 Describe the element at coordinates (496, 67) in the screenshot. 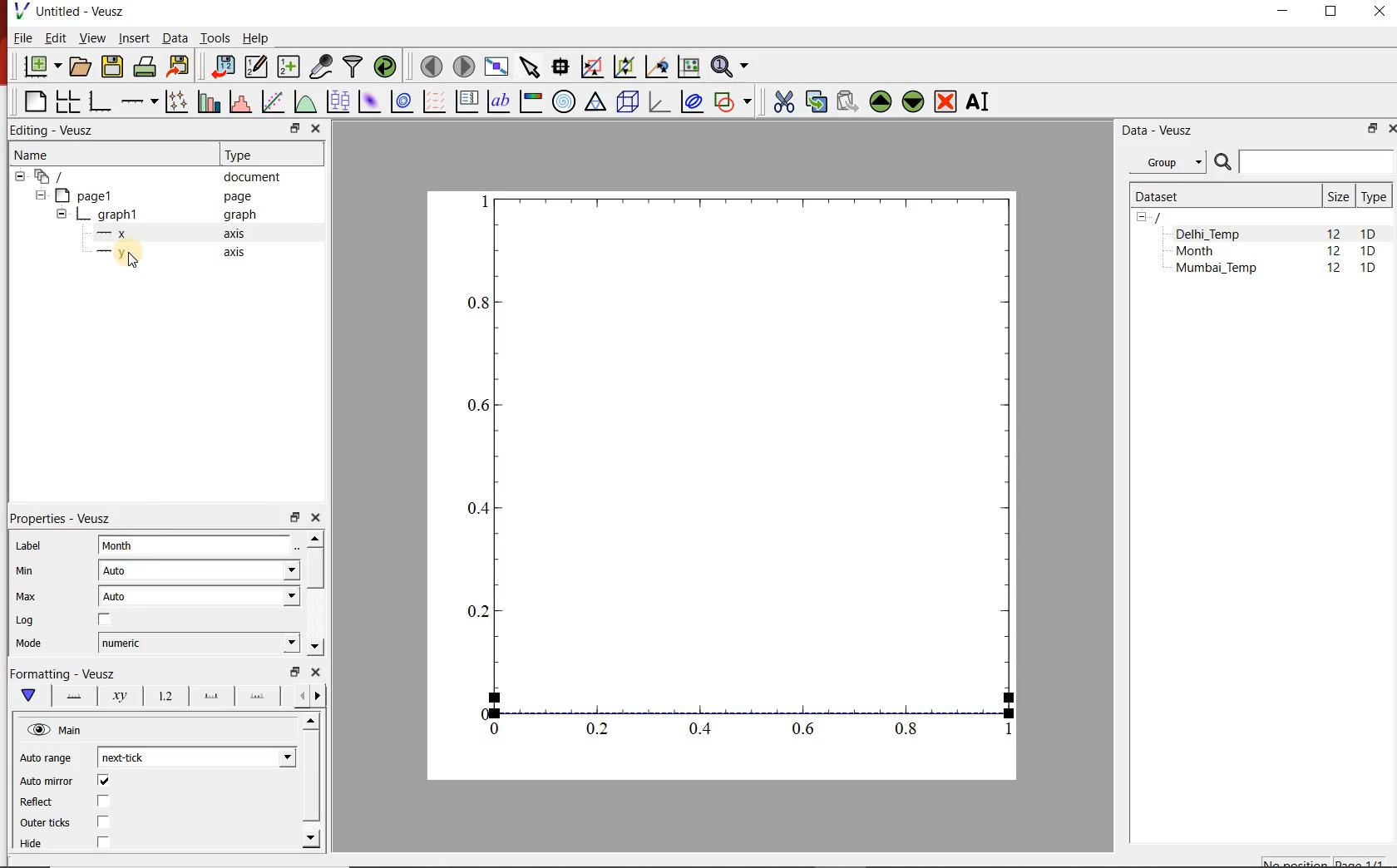

I see `view plot full screen` at that location.